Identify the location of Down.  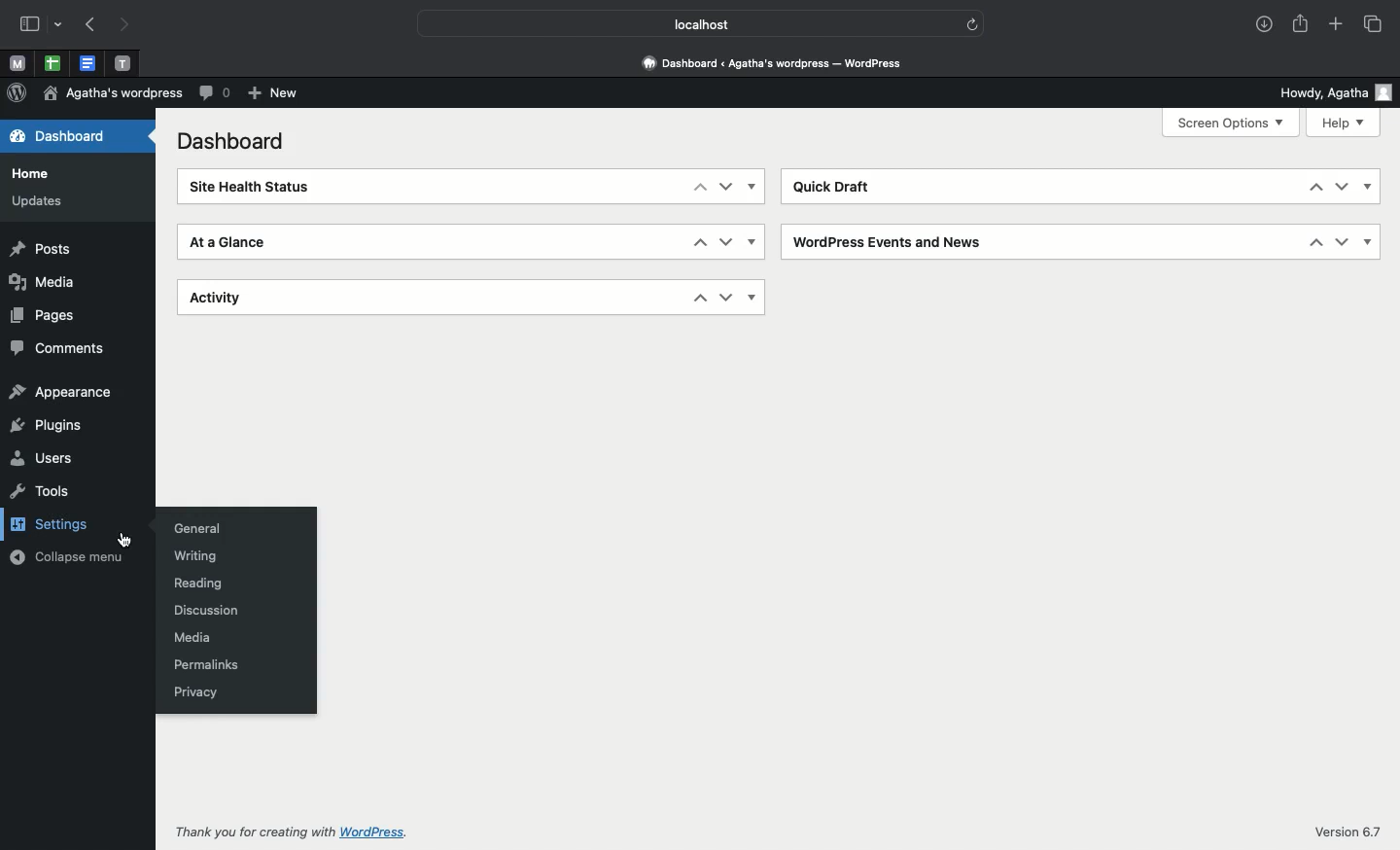
(724, 296).